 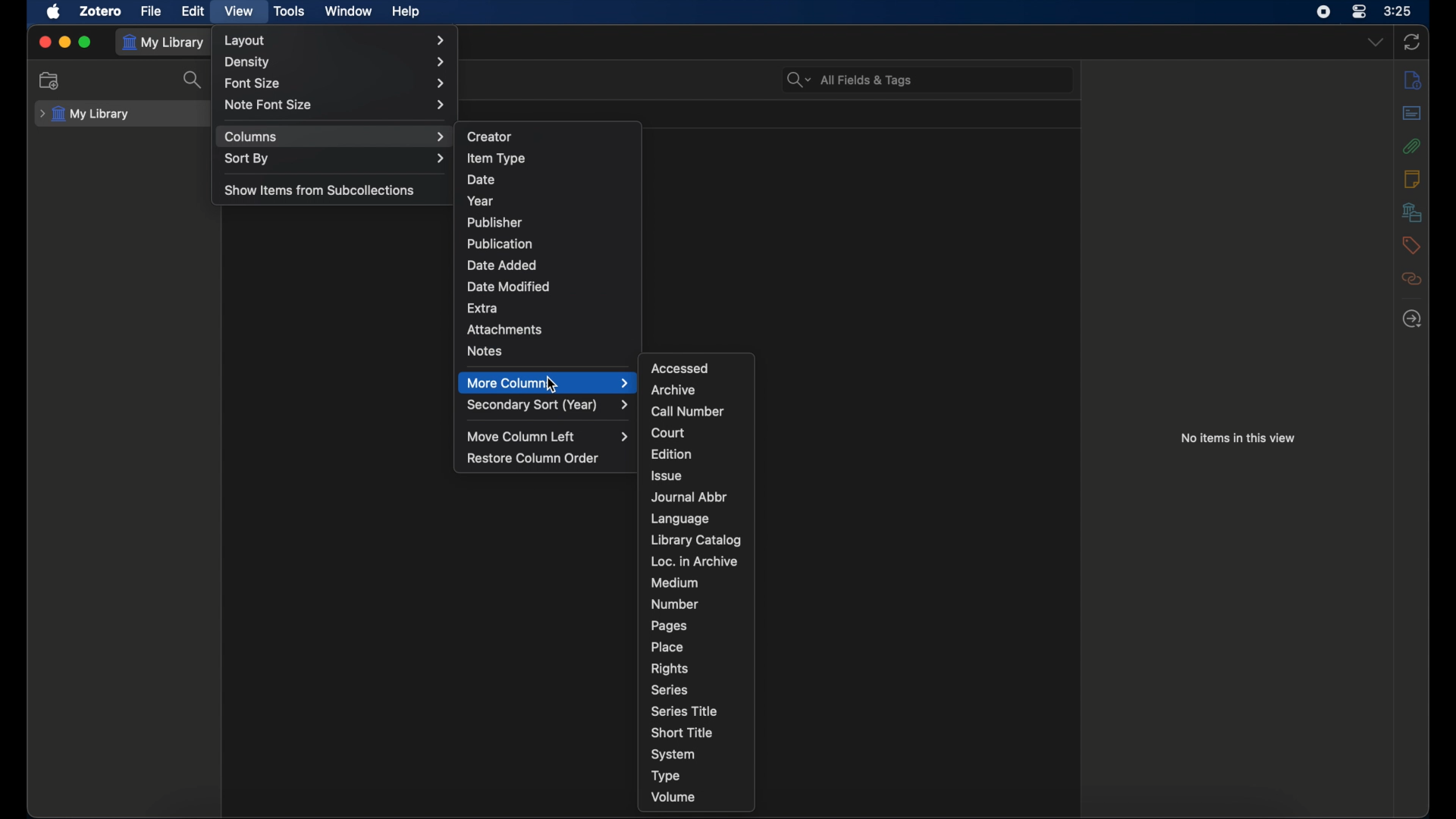 What do you see at coordinates (496, 158) in the screenshot?
I see `item type` at bounding box center [496, 158].